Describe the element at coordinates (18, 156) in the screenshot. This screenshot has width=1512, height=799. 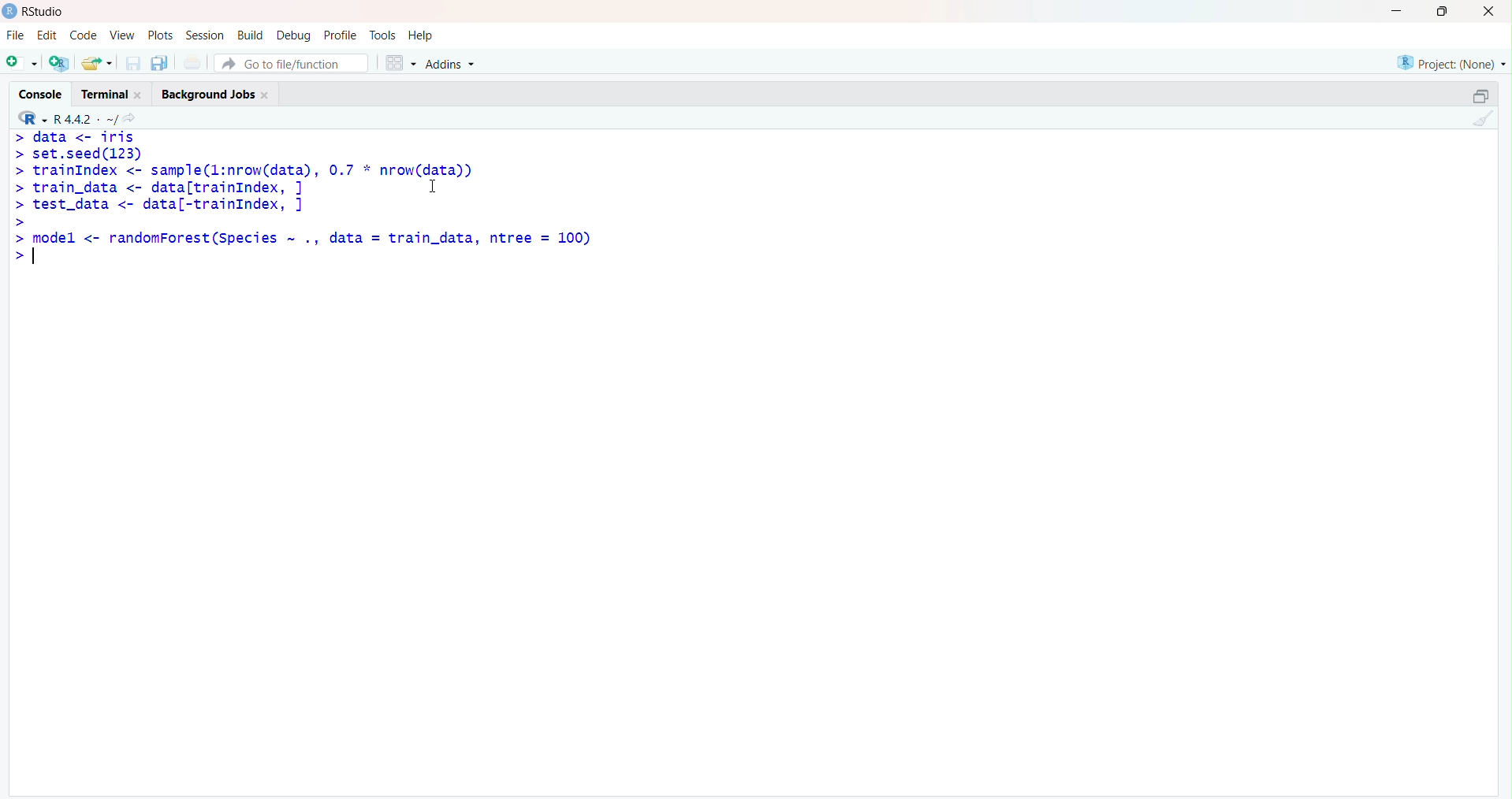
I see `Prompt cursor` at that location.